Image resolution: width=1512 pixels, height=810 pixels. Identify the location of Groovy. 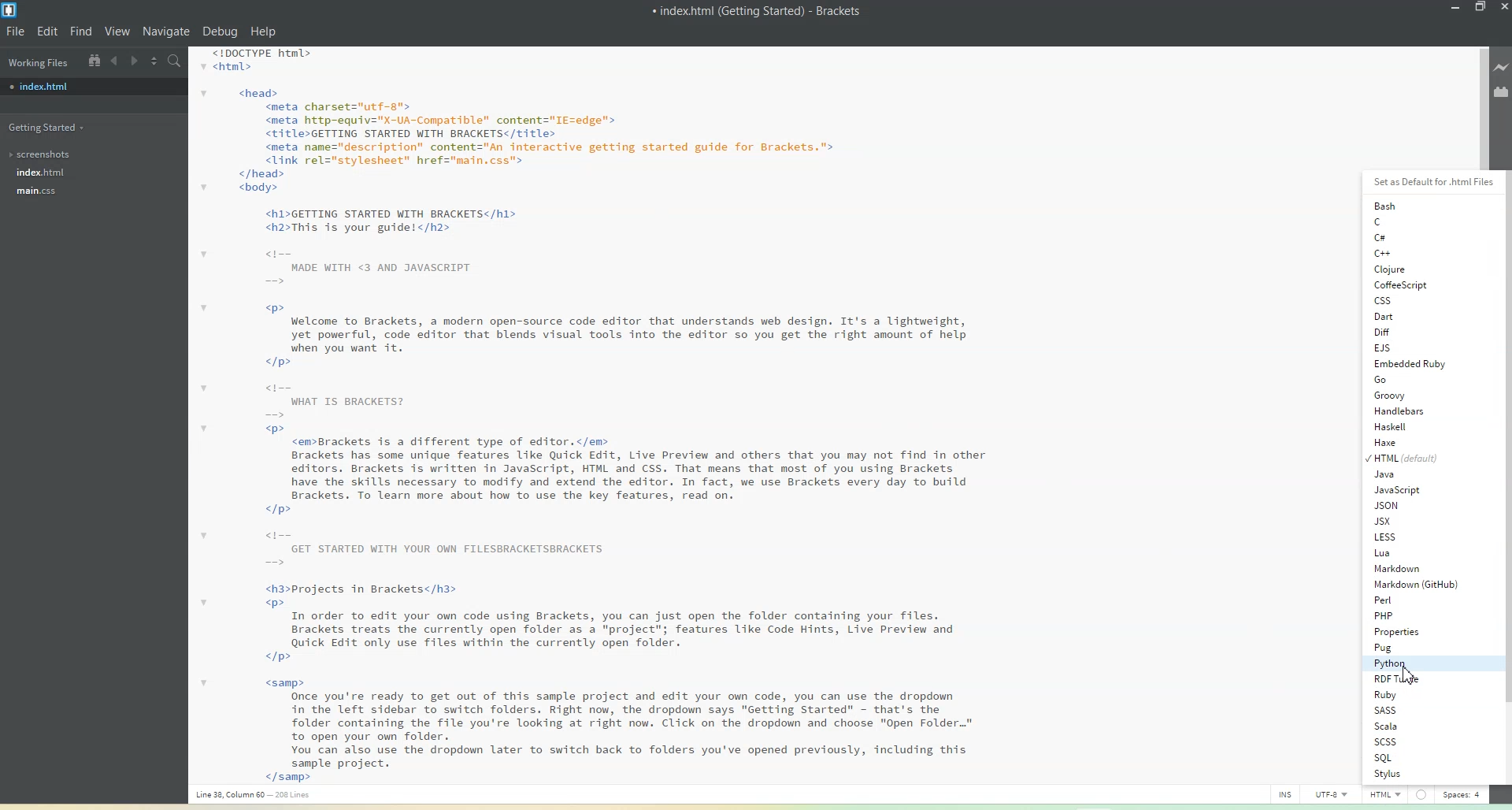
(1411, 396).